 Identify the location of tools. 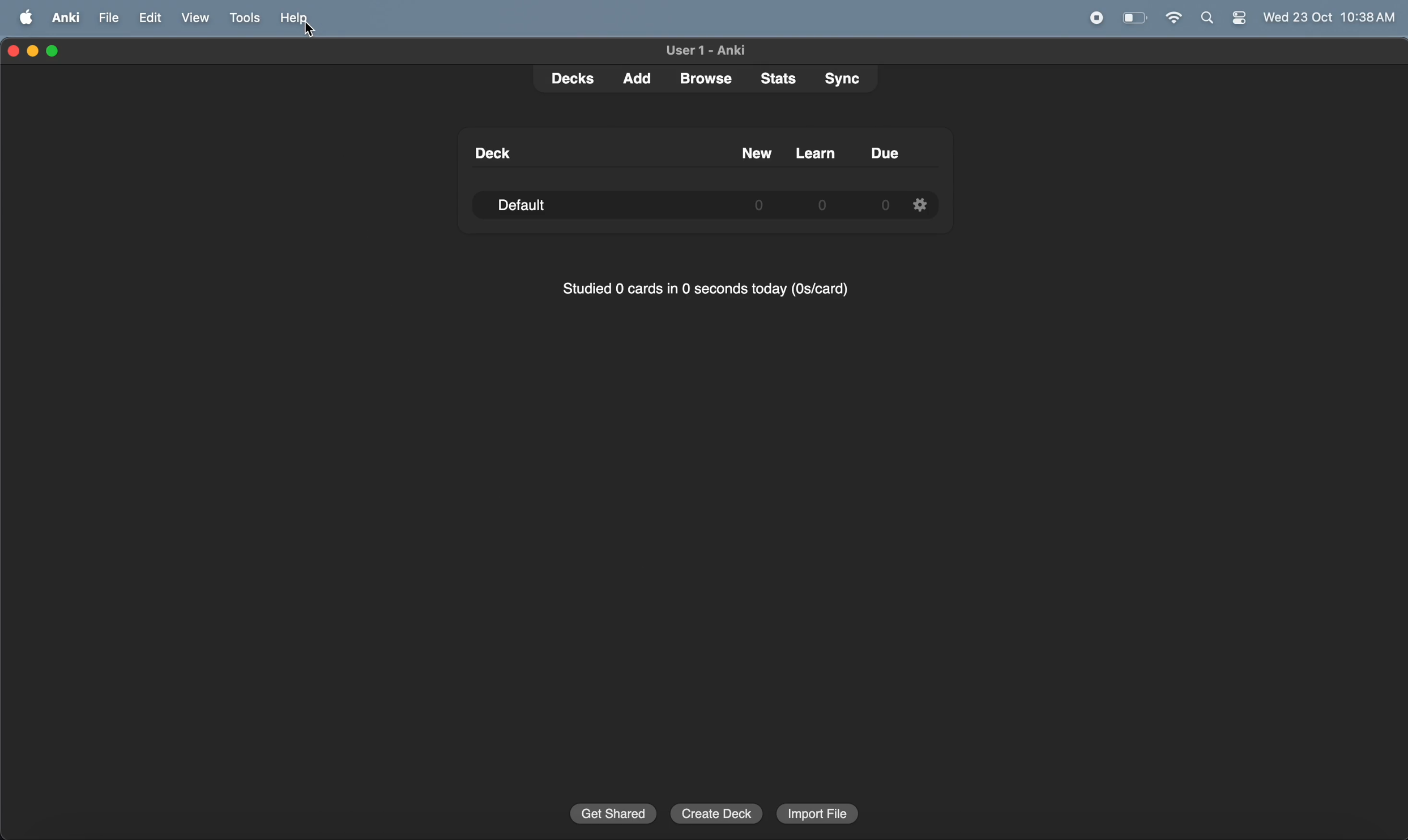
(241, 18).